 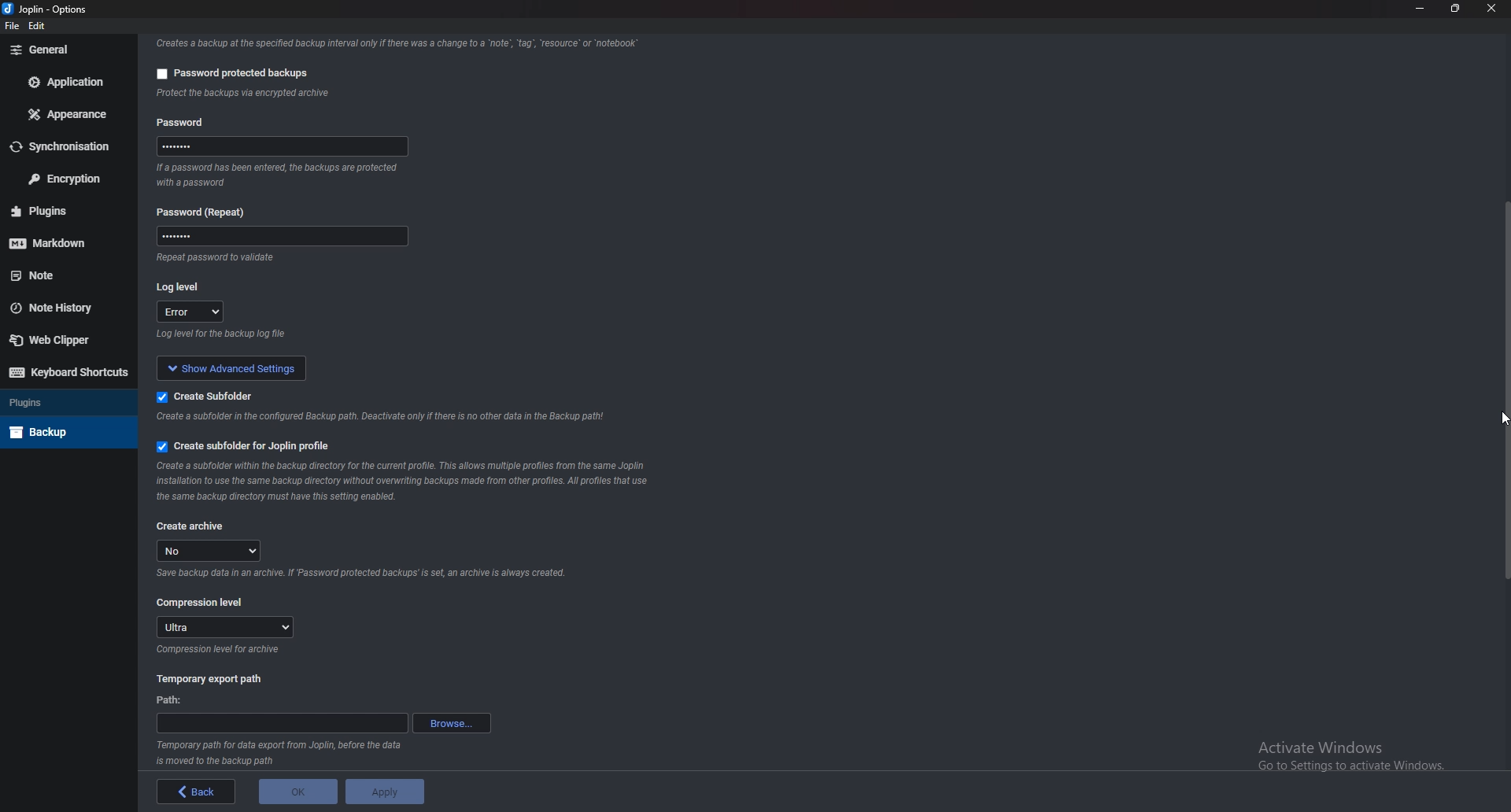 I want to click on password, so click(x=184, y=120).